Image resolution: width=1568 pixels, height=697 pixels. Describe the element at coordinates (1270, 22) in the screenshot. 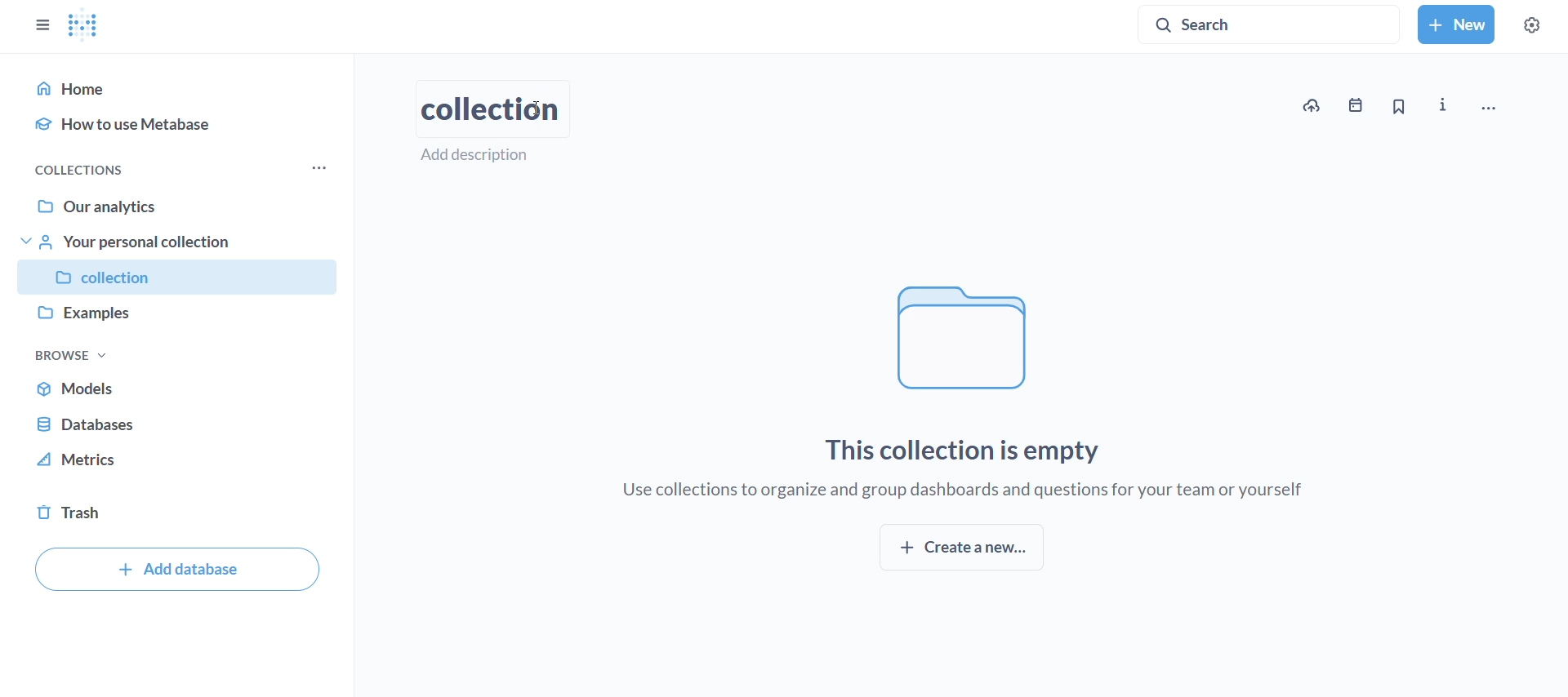

I see `search` at that location.